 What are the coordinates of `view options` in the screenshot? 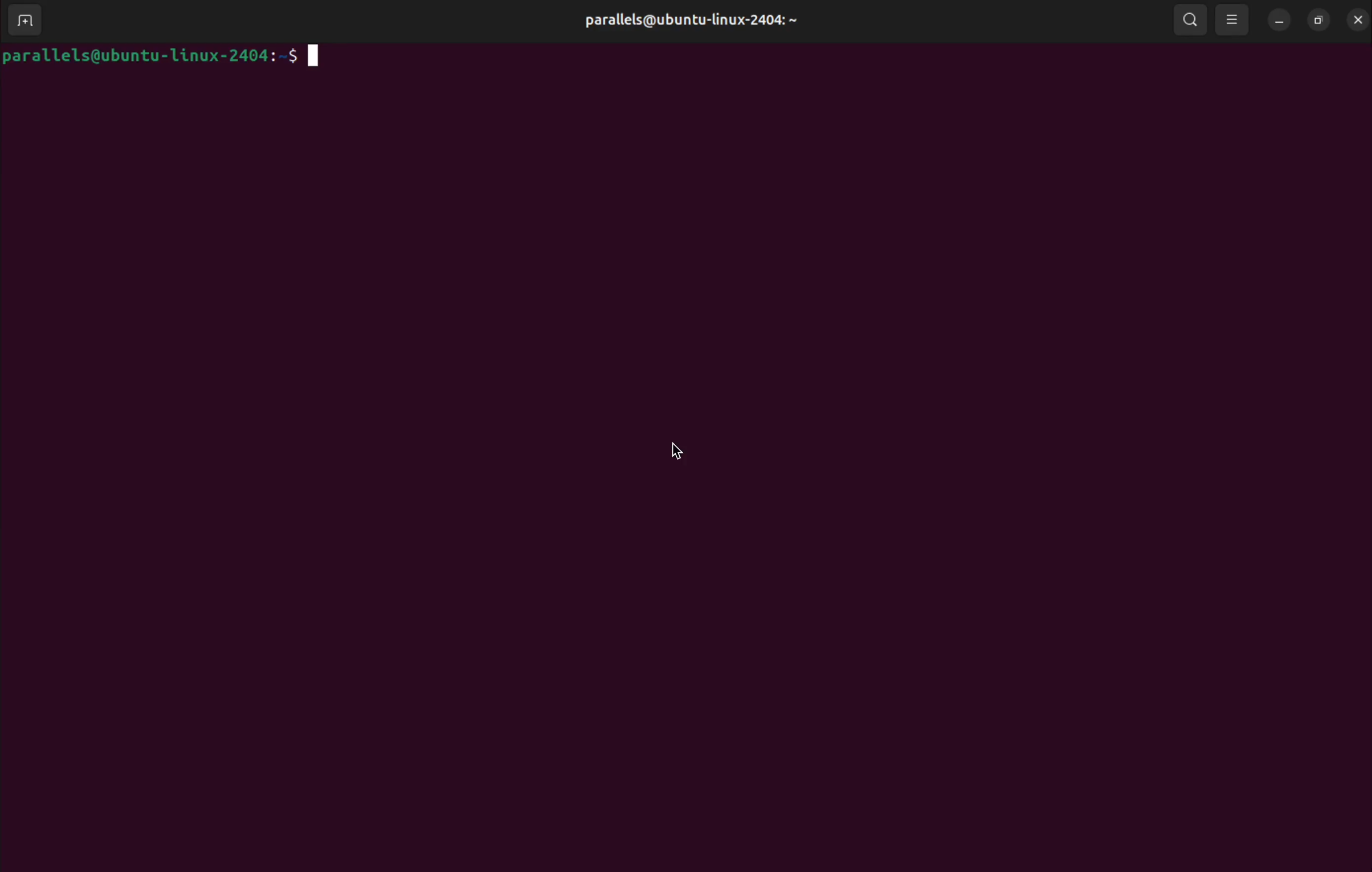 It's located at (1234, 19).